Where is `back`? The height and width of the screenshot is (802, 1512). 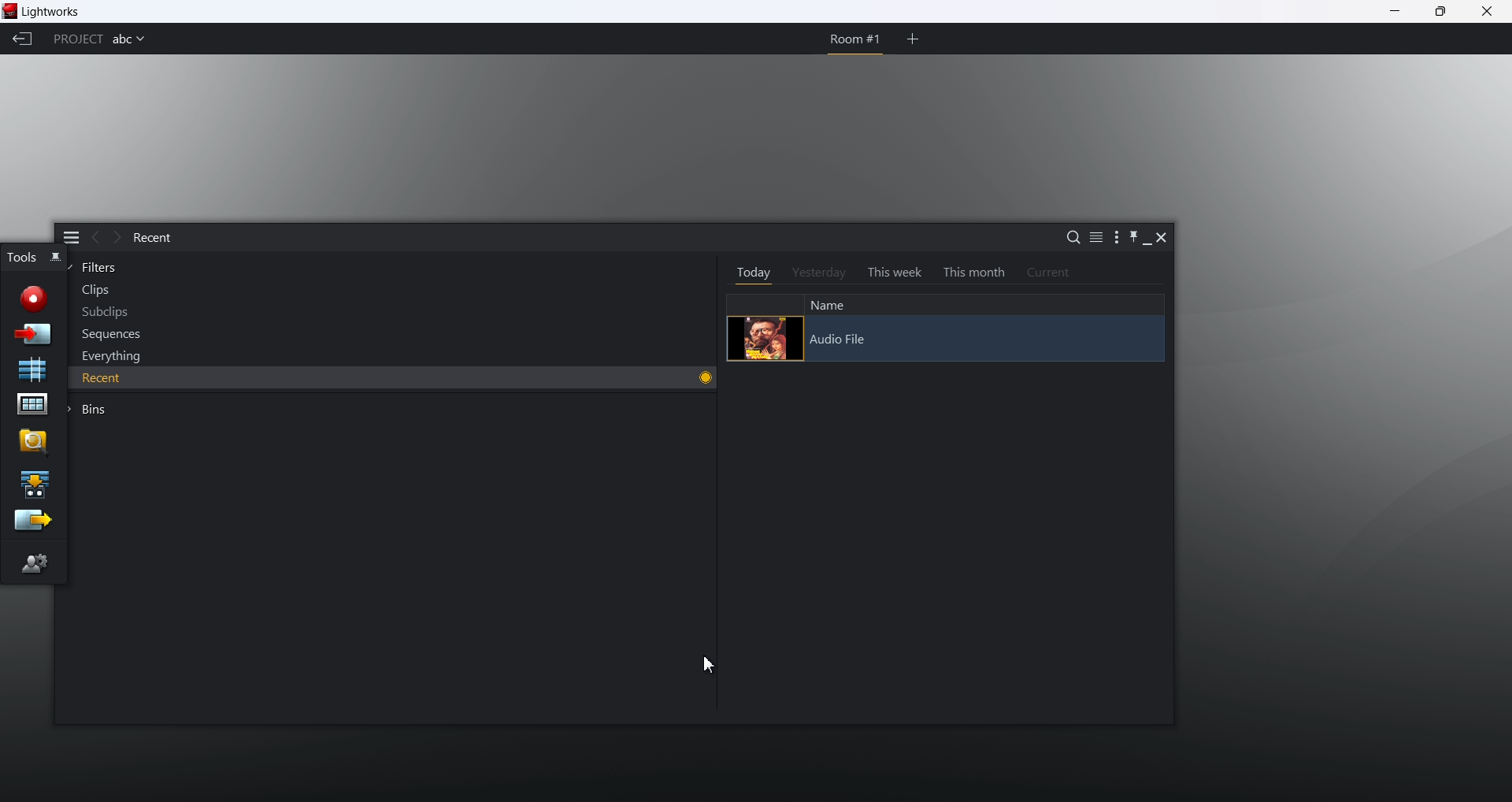 back is located at coordinates (24, 40).